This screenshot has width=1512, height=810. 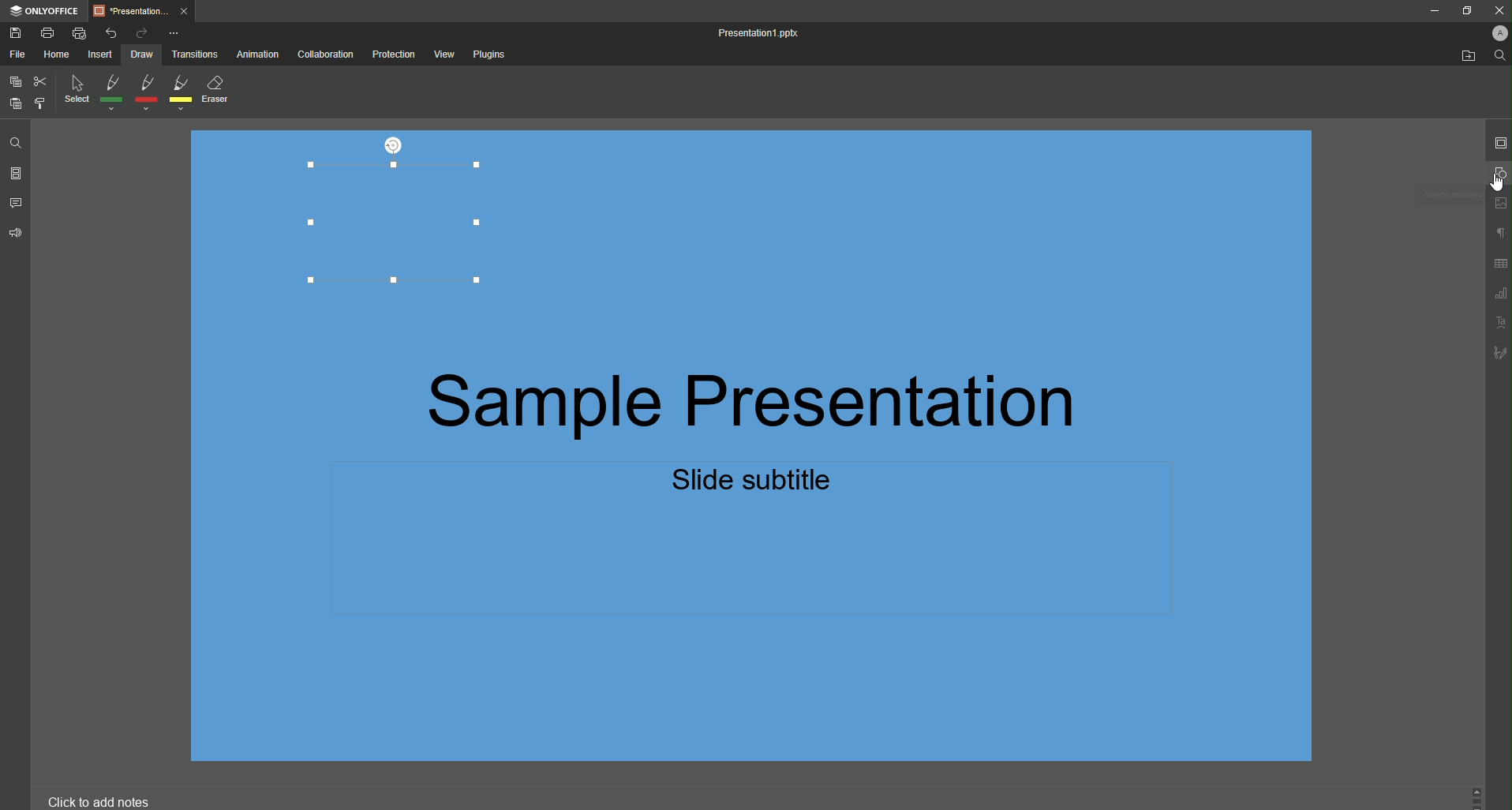 What do you see at coordinates (144, 92) in the screenshot?
I see `Red` at bounding box center [144, 92].